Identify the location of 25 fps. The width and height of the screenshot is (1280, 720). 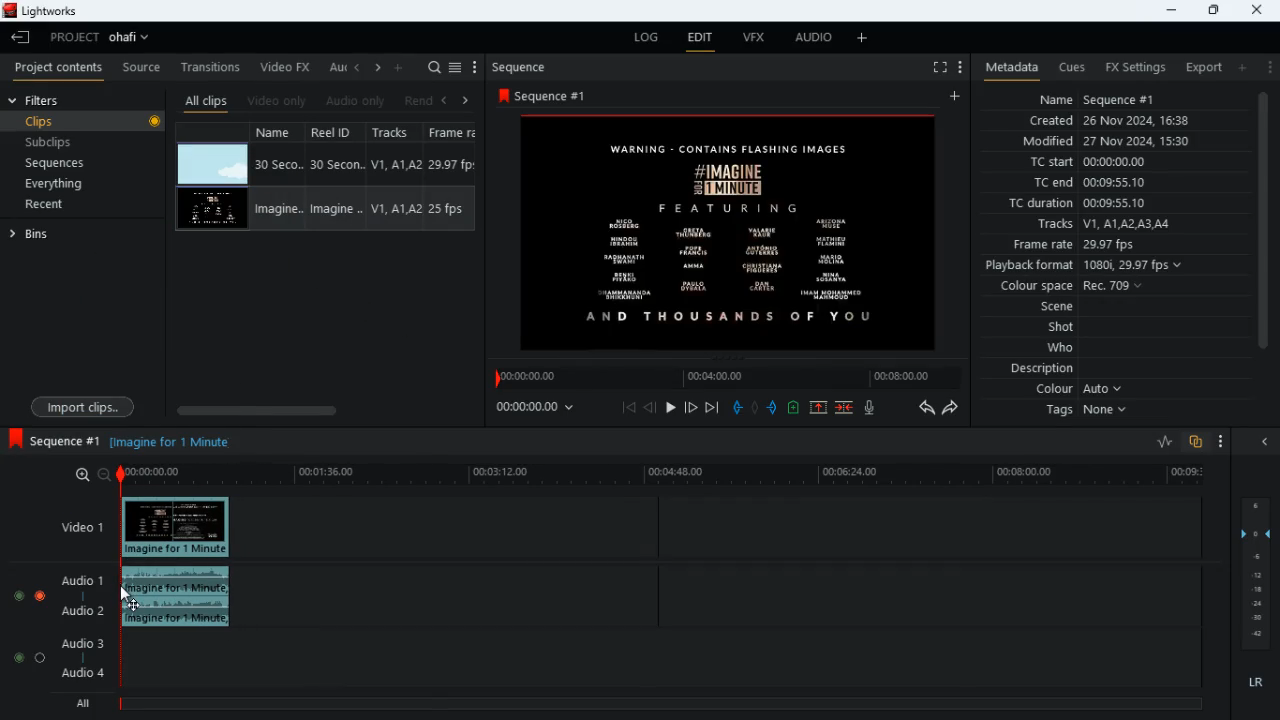
(449, 210).